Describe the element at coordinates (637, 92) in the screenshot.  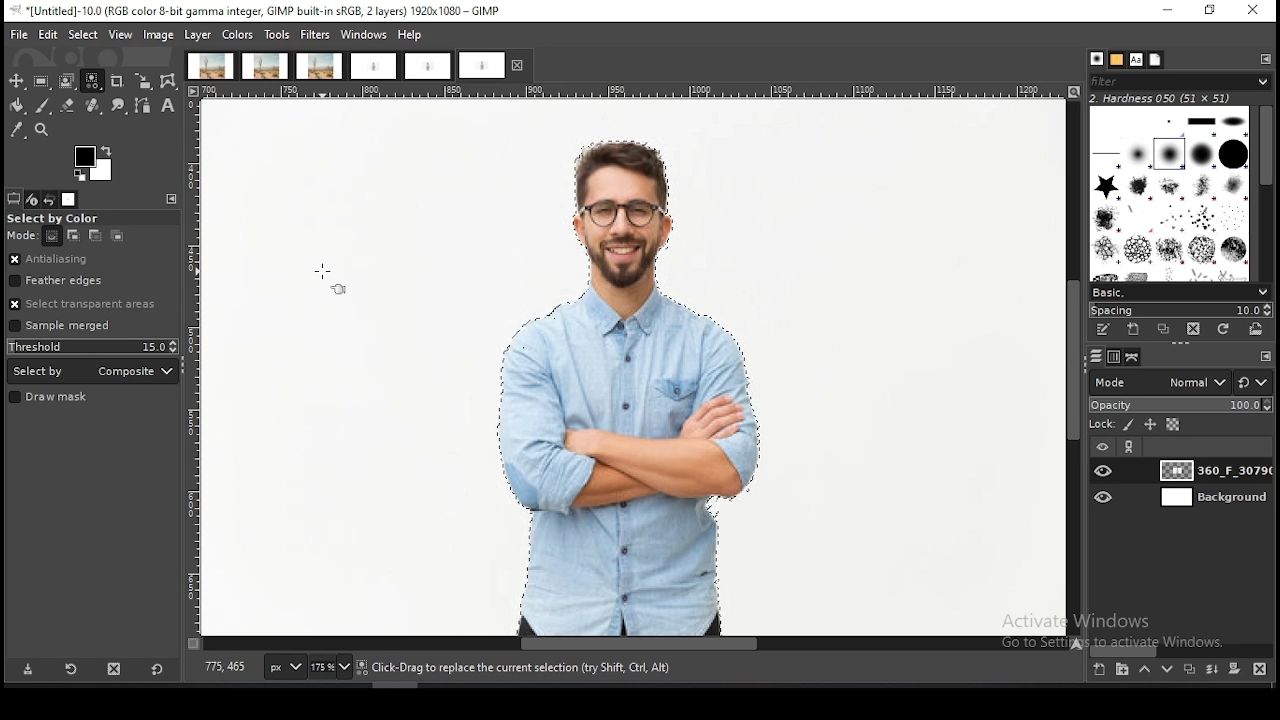
I see `scale` at that location.